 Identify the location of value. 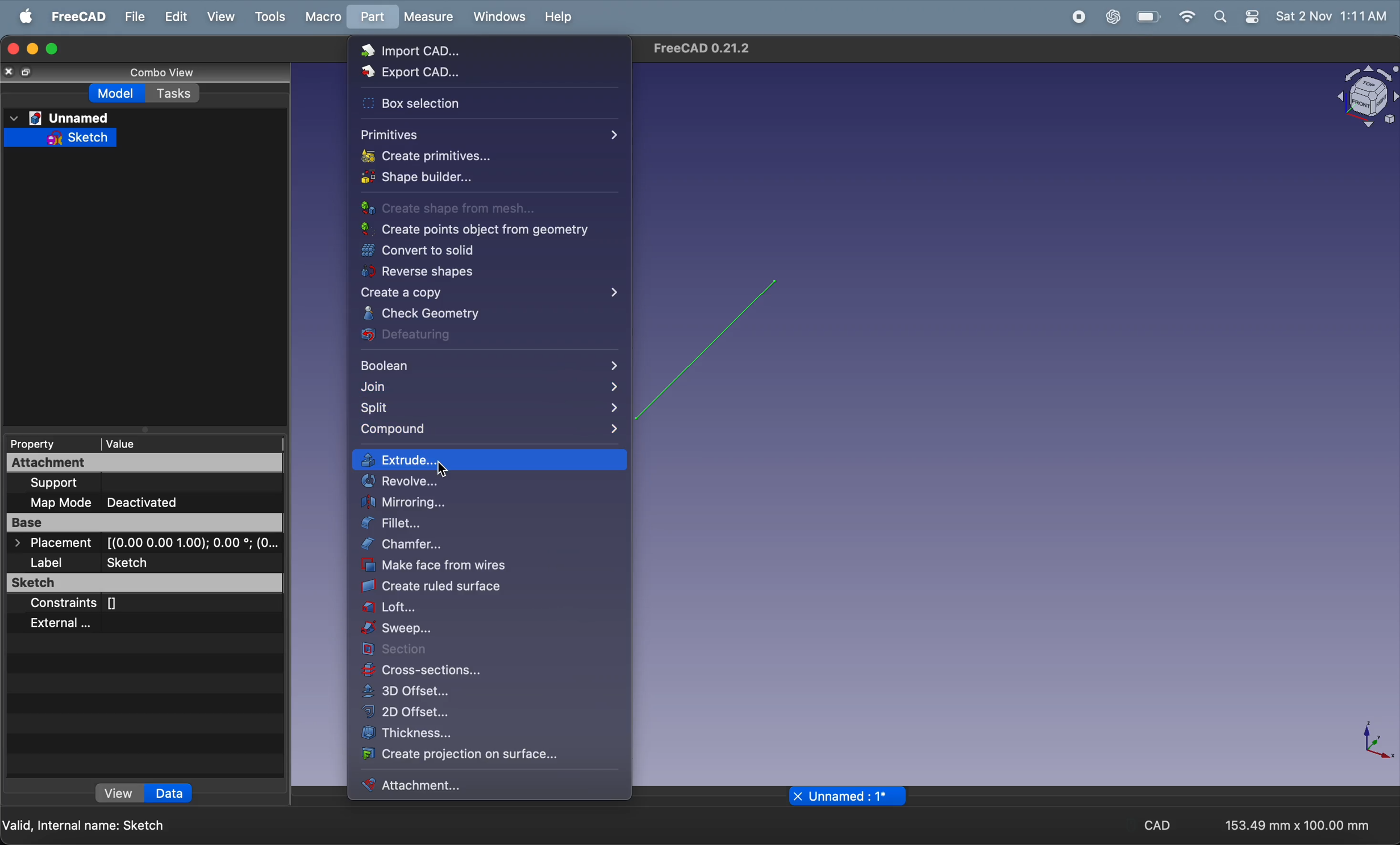
(192, 444).